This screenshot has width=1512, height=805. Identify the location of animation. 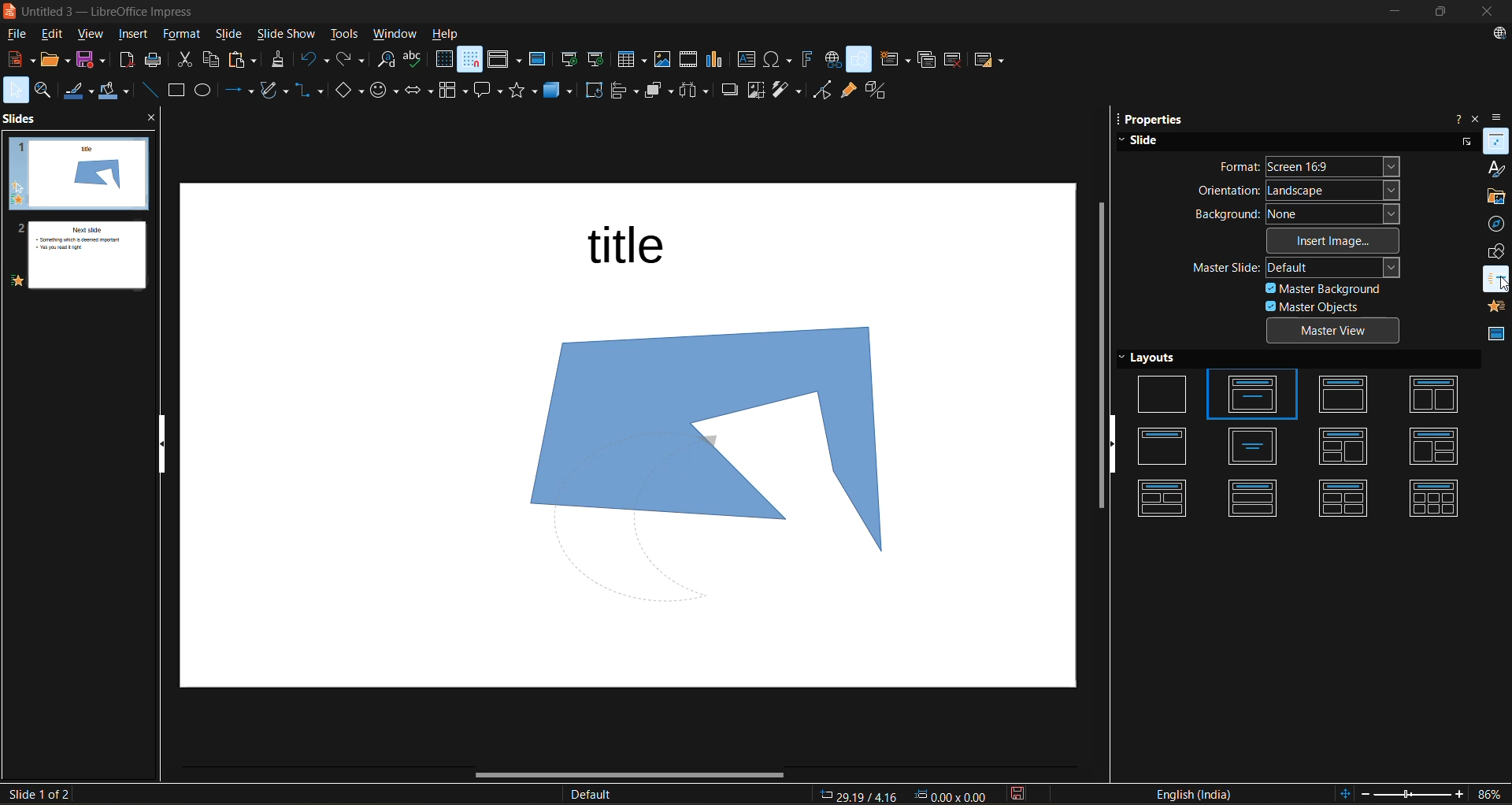
(1496, 309).